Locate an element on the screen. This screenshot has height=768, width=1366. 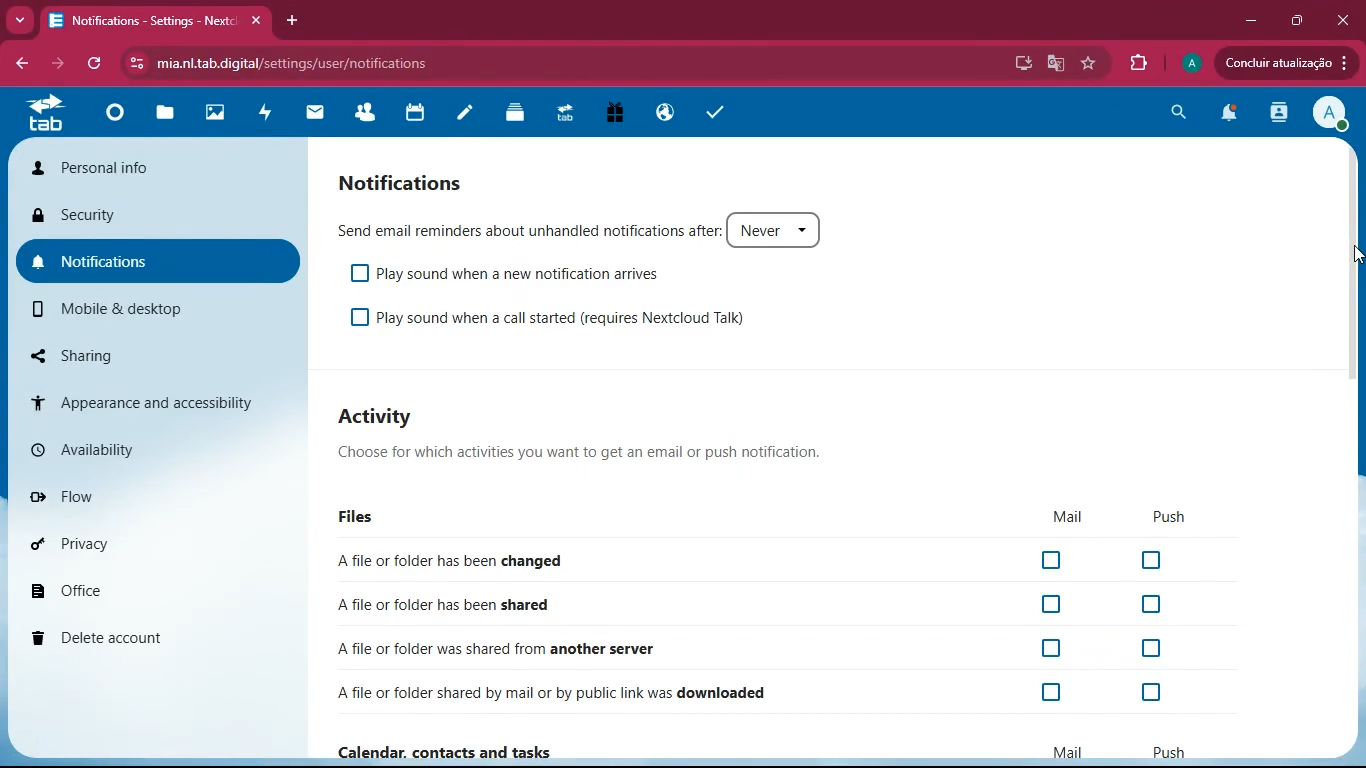
appearance is located at coordinates (140, 400).